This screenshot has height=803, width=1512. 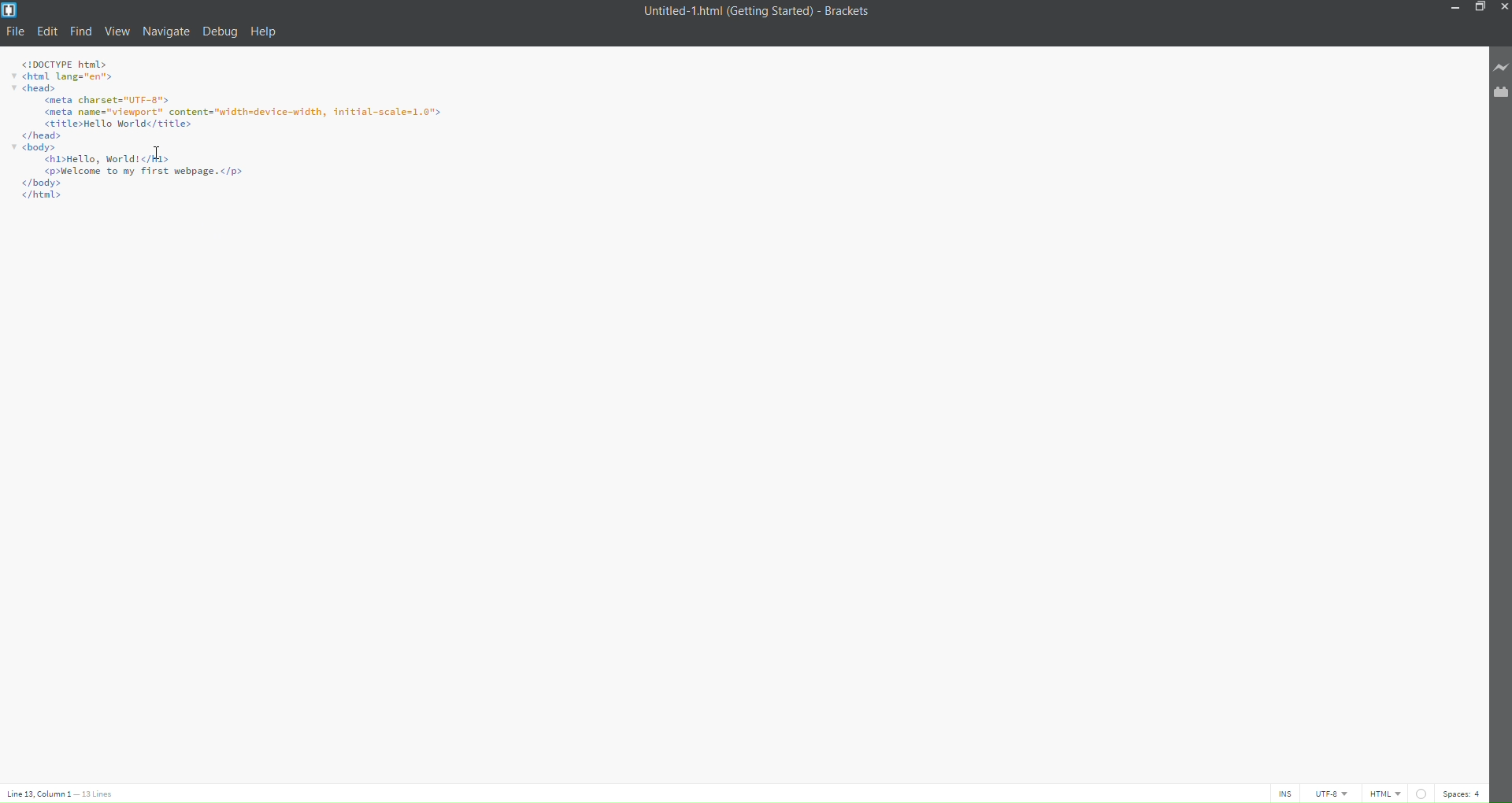 I want to click on view, so click(x=117, y=31).